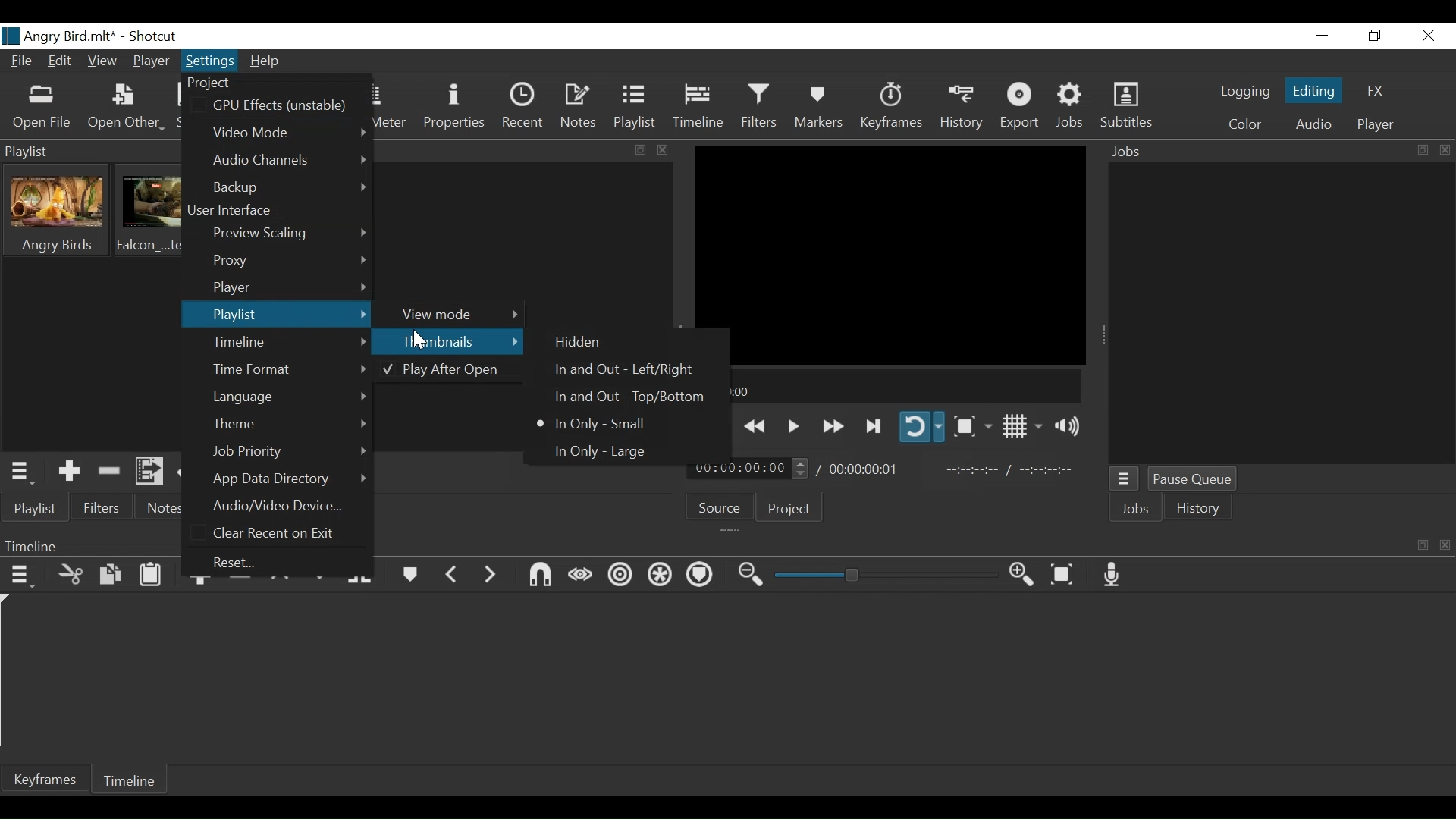  What do you see at coordinates (290, 287) in the screenshot?
I see `Player` at bounding box center [290, 287].